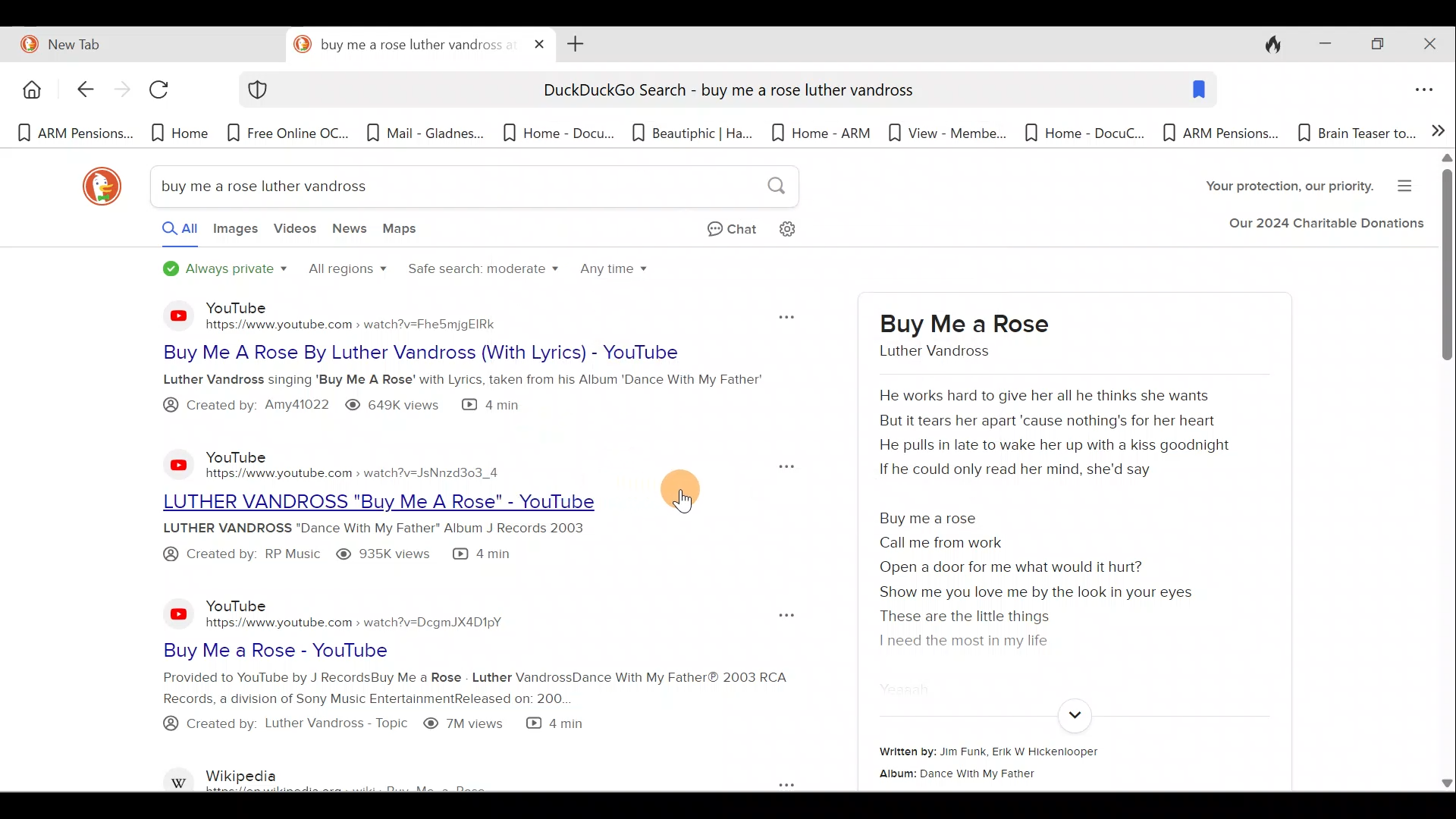 This screenshot has width=1456, height=819. I want to click on Maps, so click(404, 231).